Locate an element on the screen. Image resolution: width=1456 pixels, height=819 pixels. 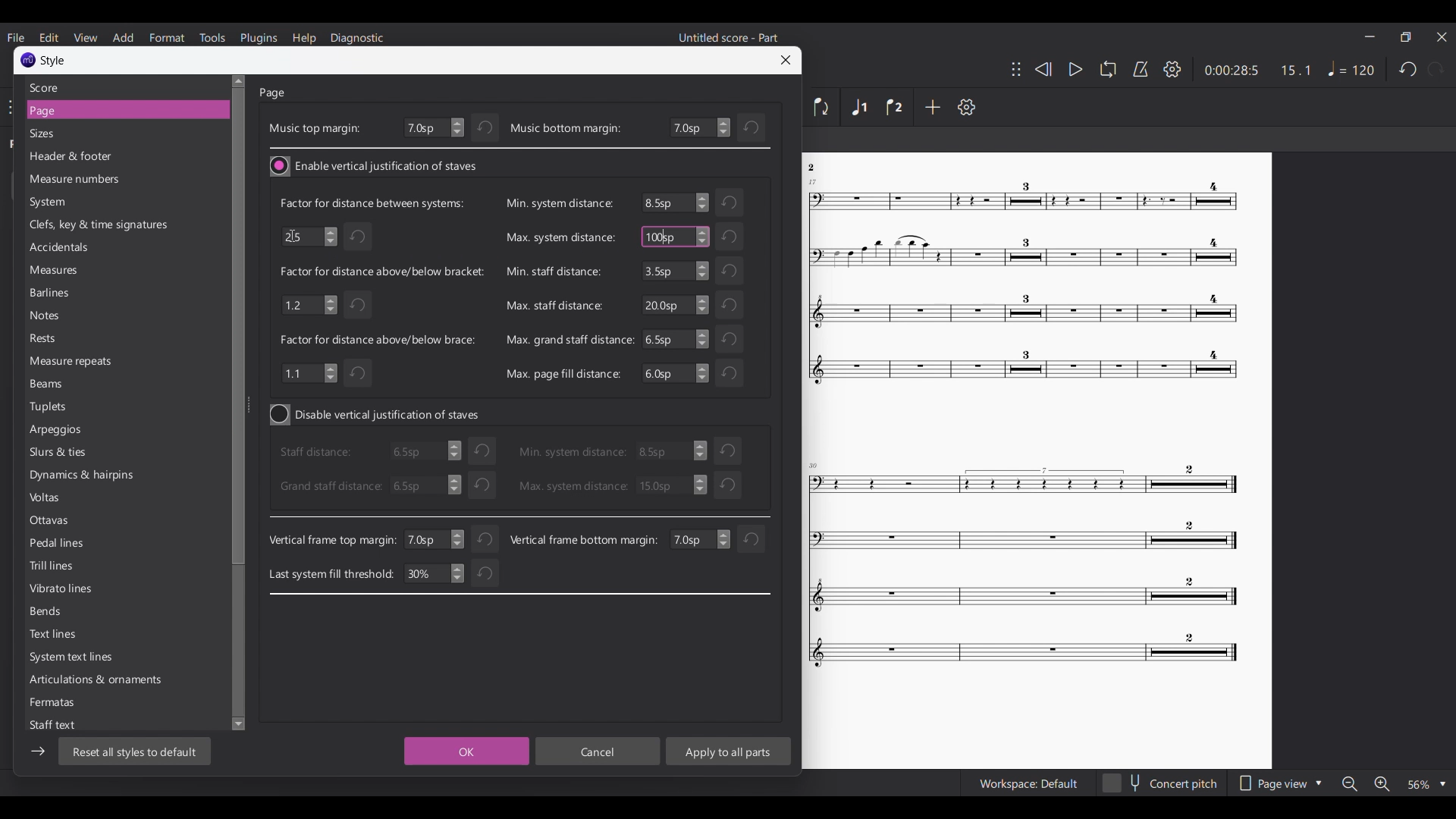
Metronome is located at coordinates (1141, 69).